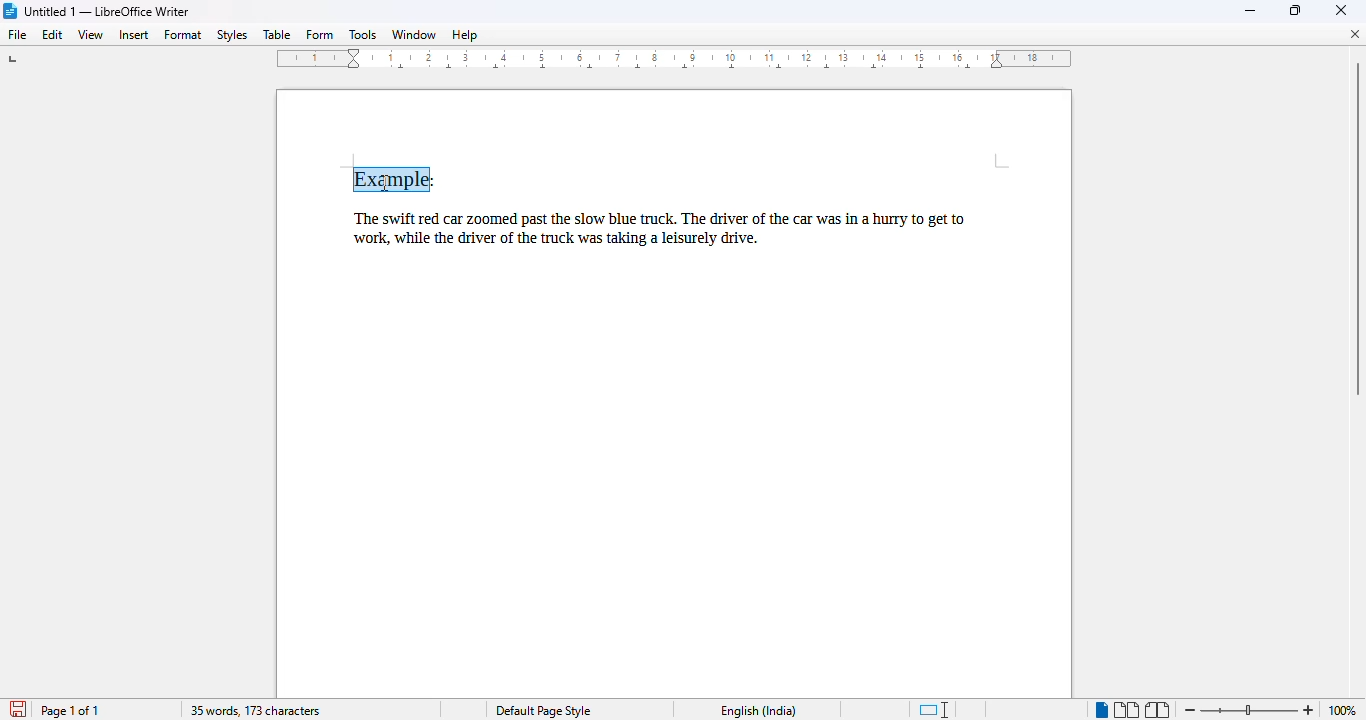  What do you see at coordinates (1295, 9) in the screenshot?
I see `maximize` at bounding box center [1295, 9].